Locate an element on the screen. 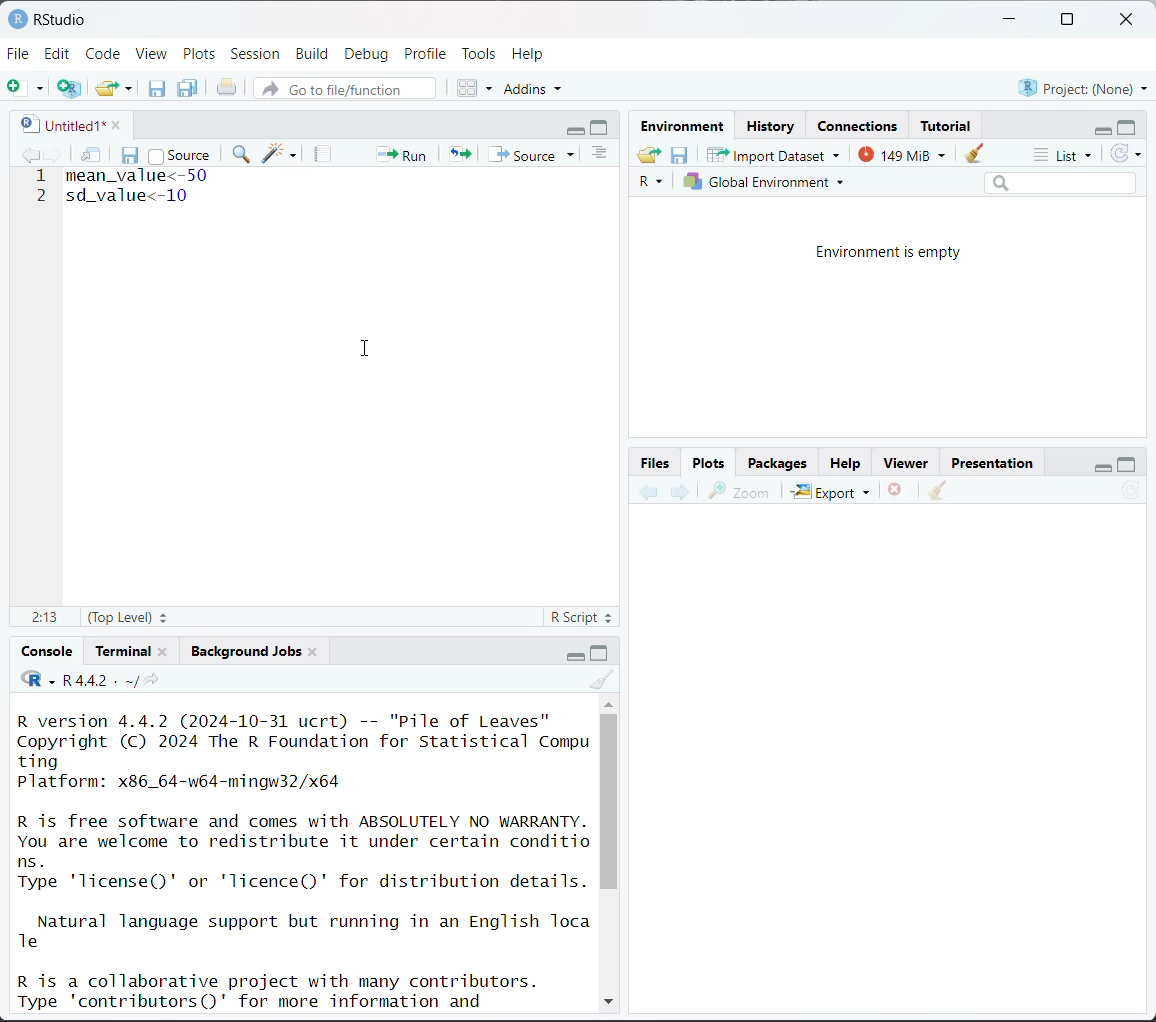 The image size is (1156, 1022). clear console is located at coordinates (604, 680).